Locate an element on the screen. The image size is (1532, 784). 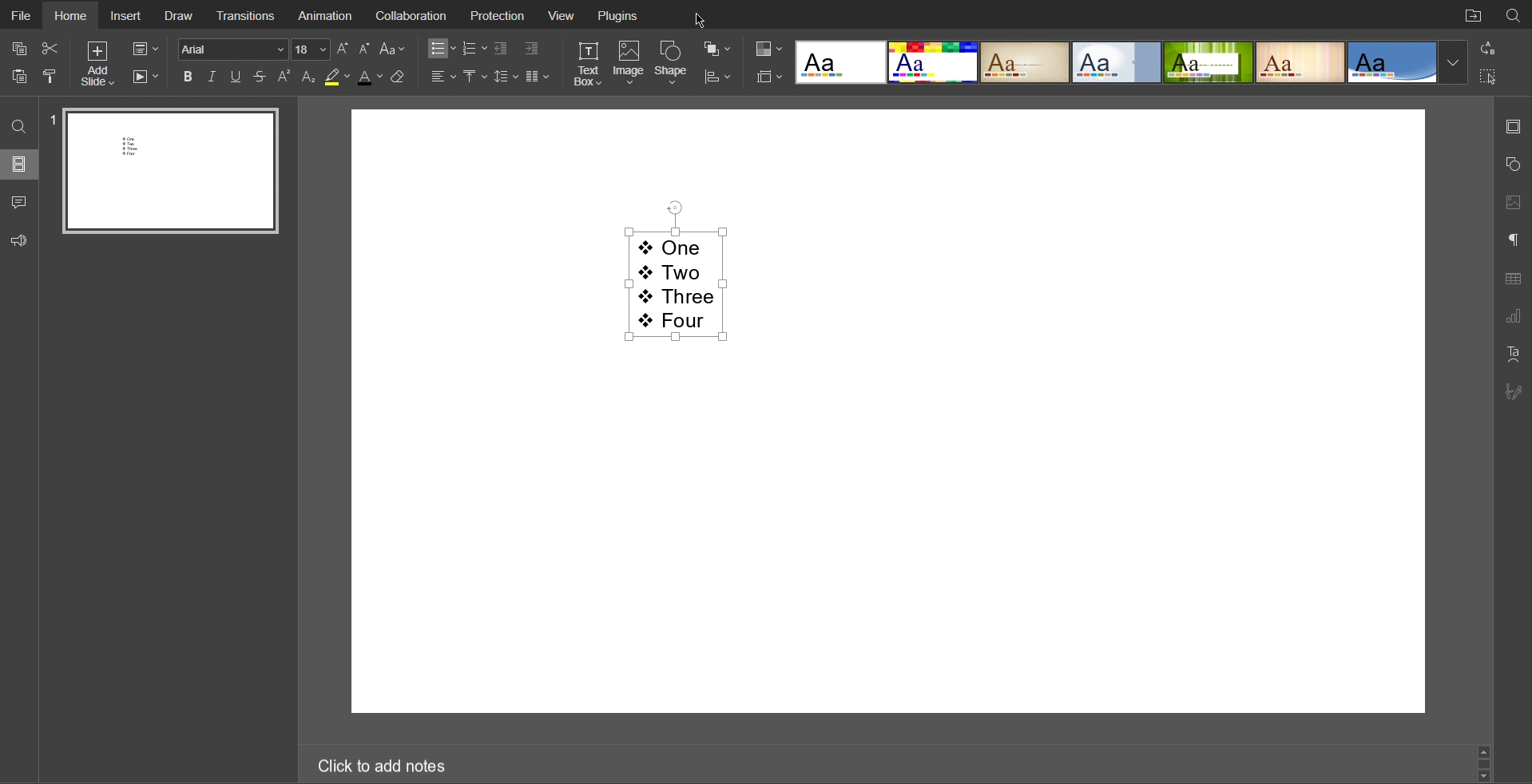
Erase is located at coordinates (399, 76).